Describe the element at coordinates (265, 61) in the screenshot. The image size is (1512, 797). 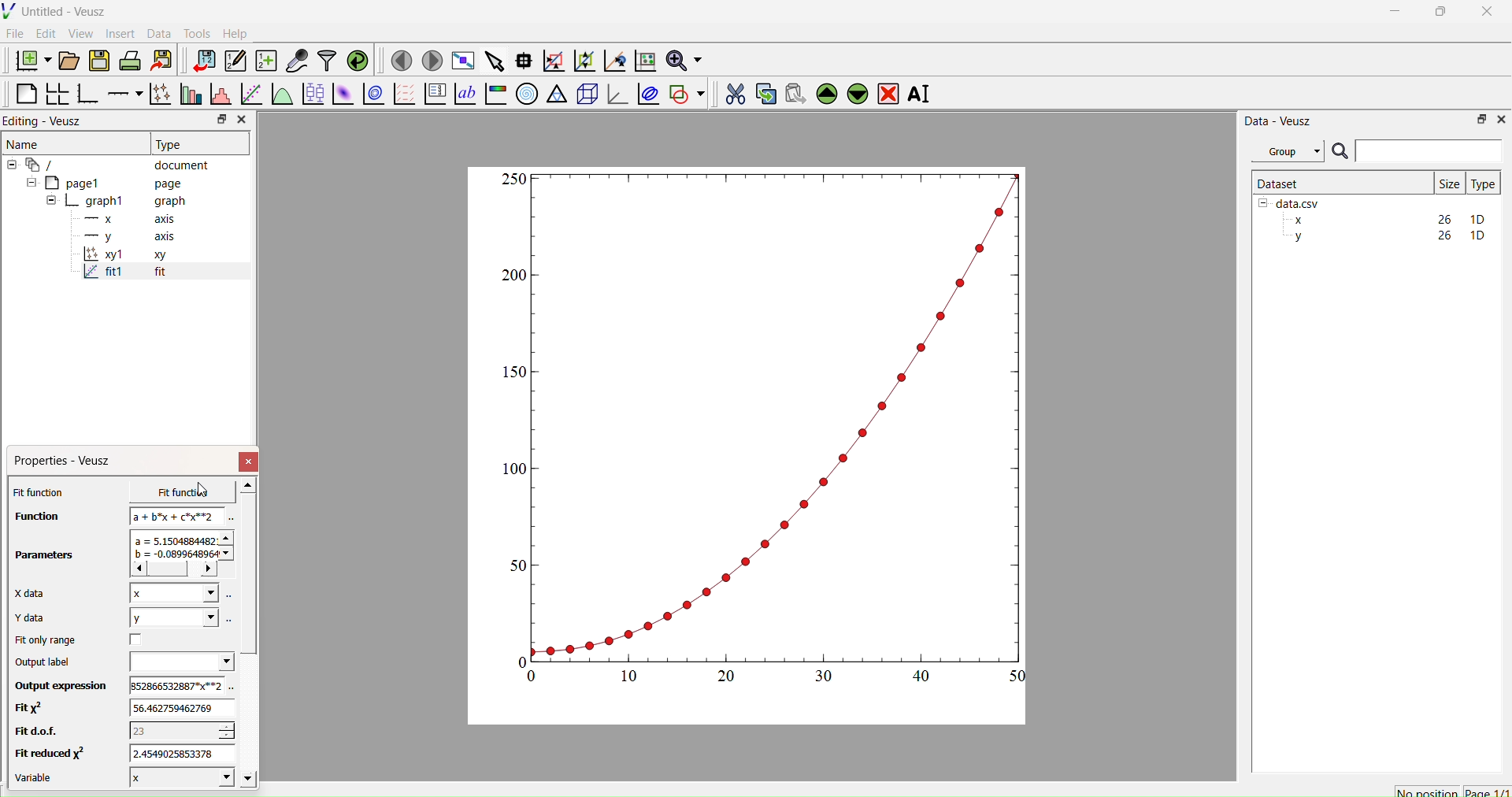
I see `Create a new dataset` at that location.